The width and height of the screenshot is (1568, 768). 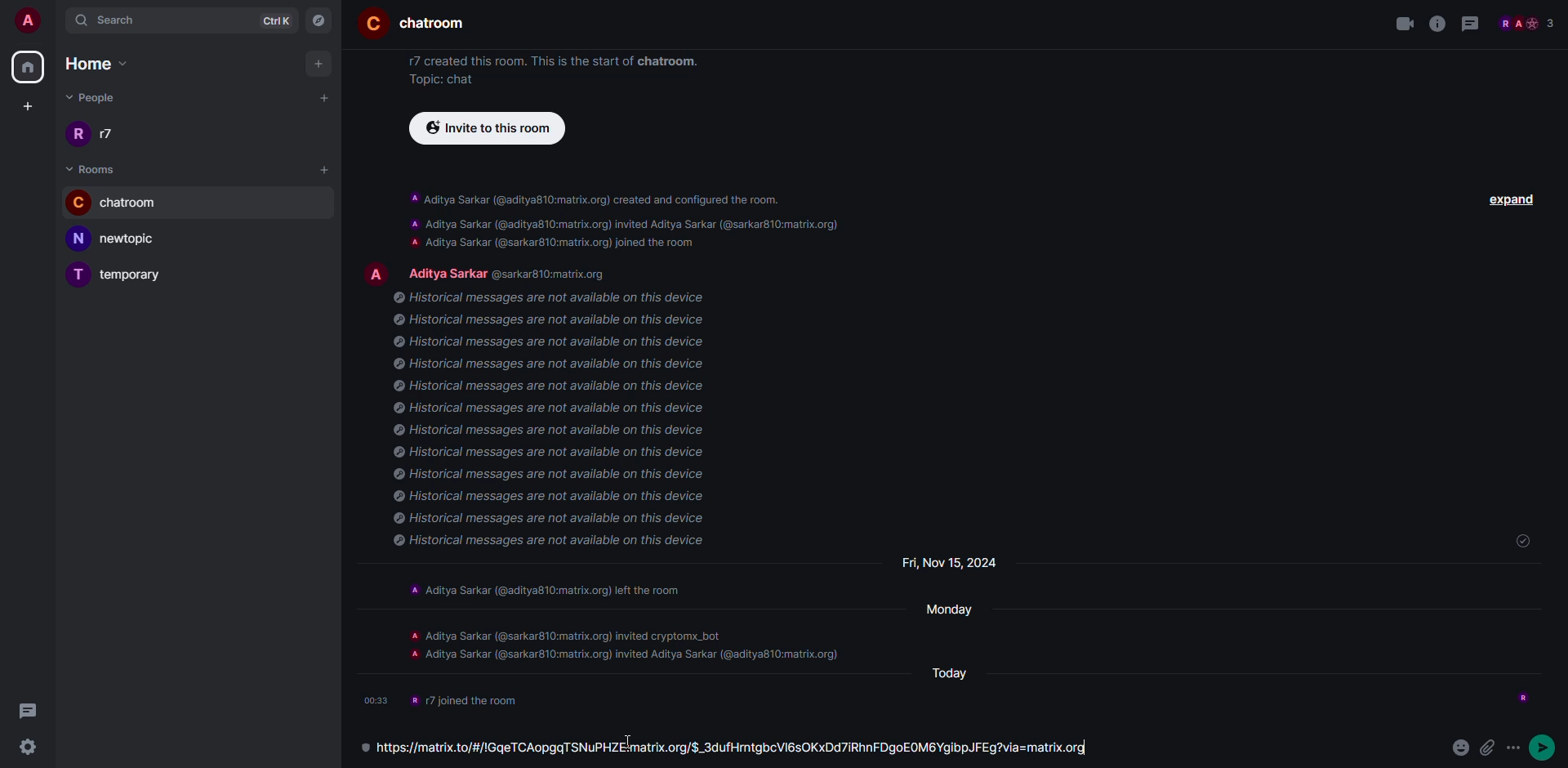 I want to click on video call, so click(x=1400, y=25).